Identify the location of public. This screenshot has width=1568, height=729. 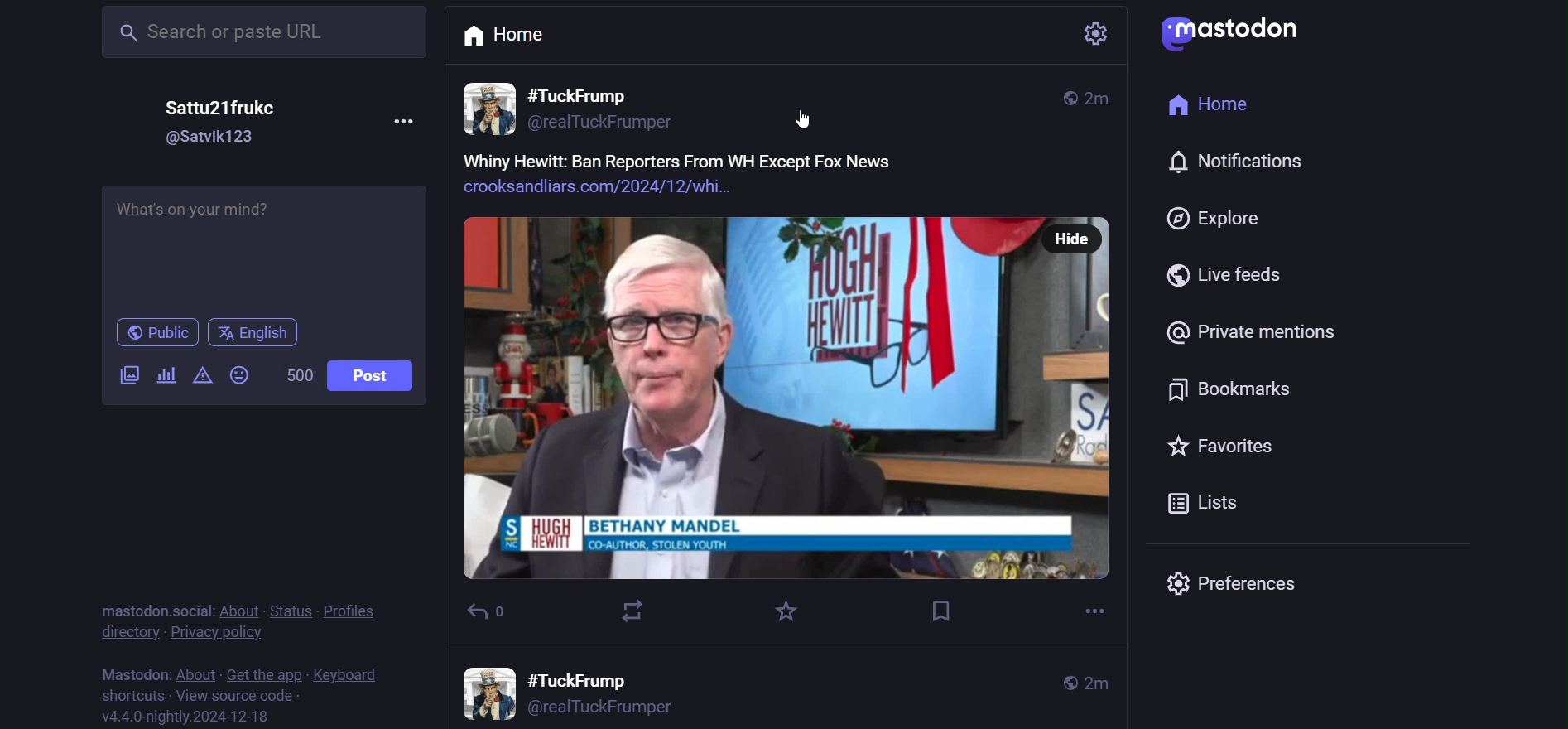
(1068, 99).